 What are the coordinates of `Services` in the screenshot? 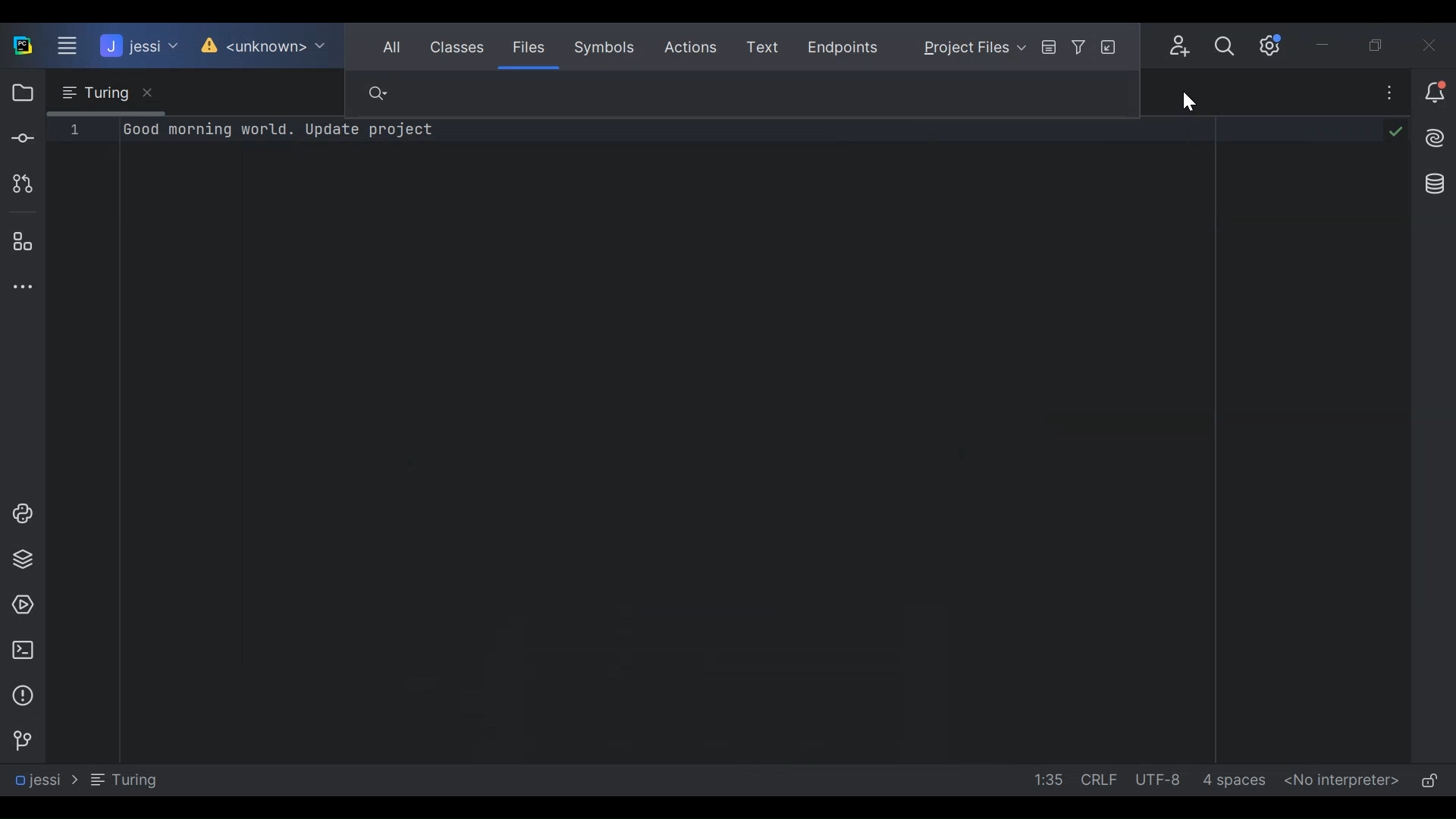 It's located at (19, 604).